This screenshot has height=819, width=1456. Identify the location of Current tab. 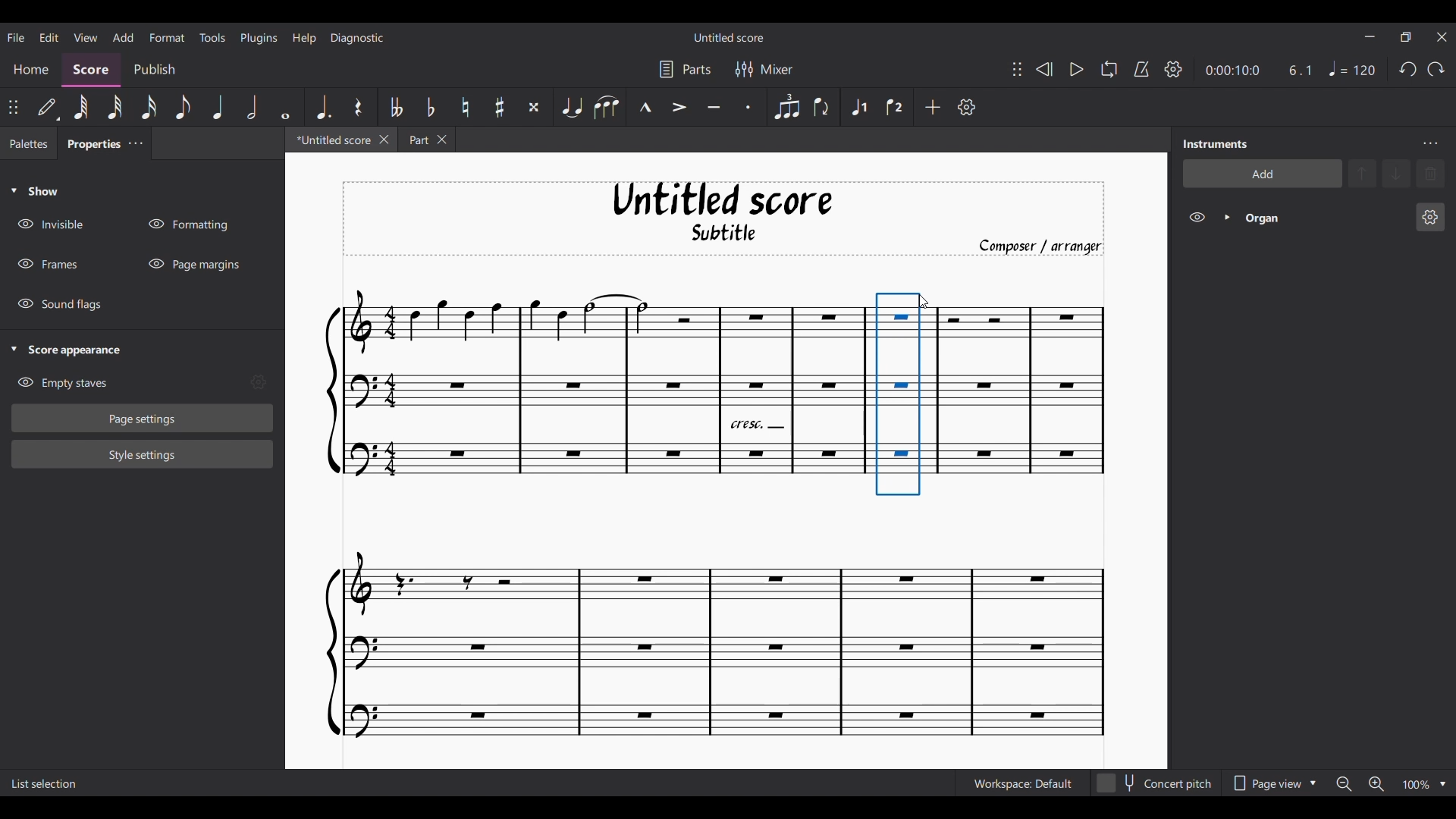
(331, 140).